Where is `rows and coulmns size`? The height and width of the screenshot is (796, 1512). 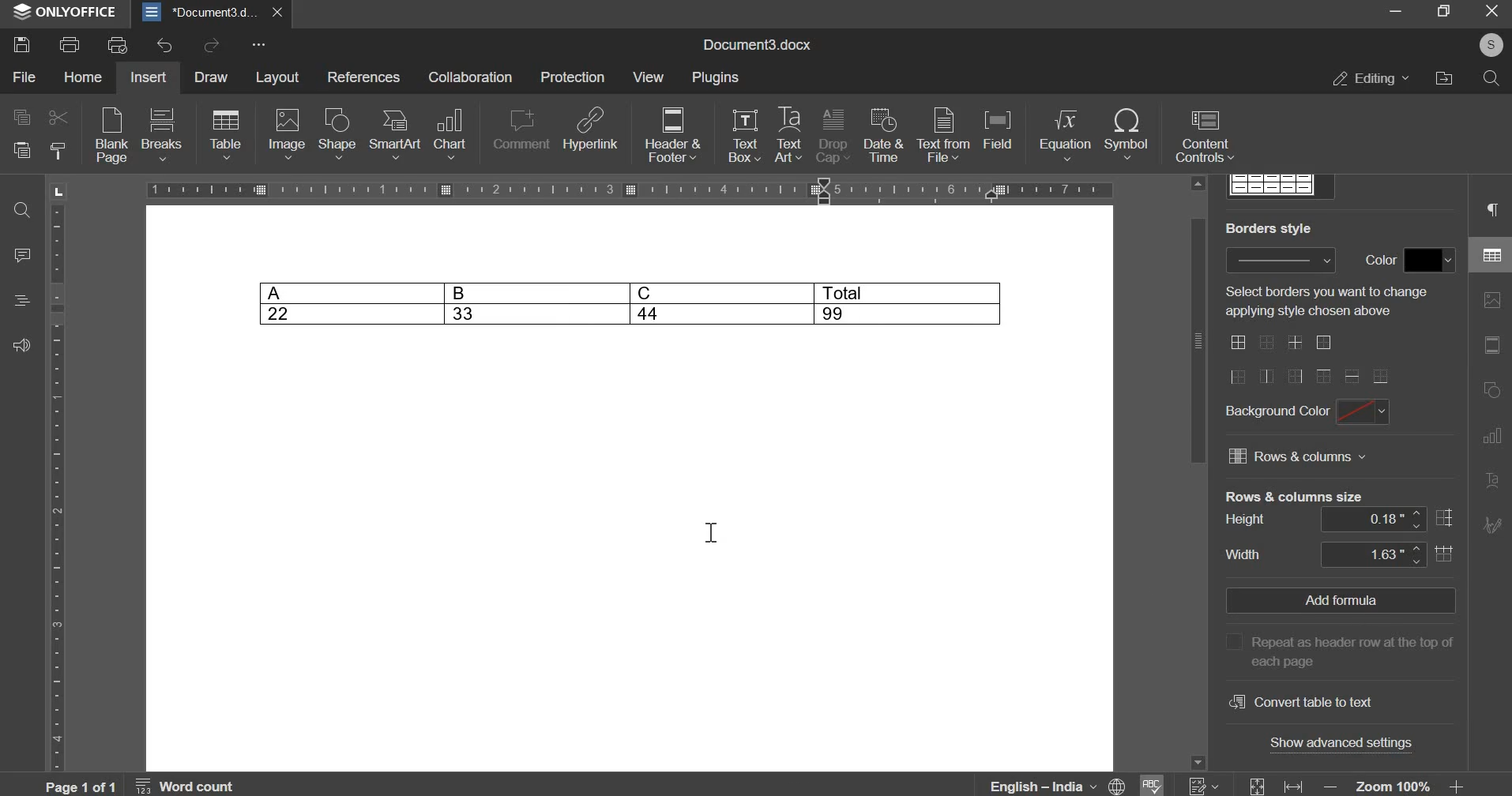
rows and coulmns size is located at coordinates (1293, 495).